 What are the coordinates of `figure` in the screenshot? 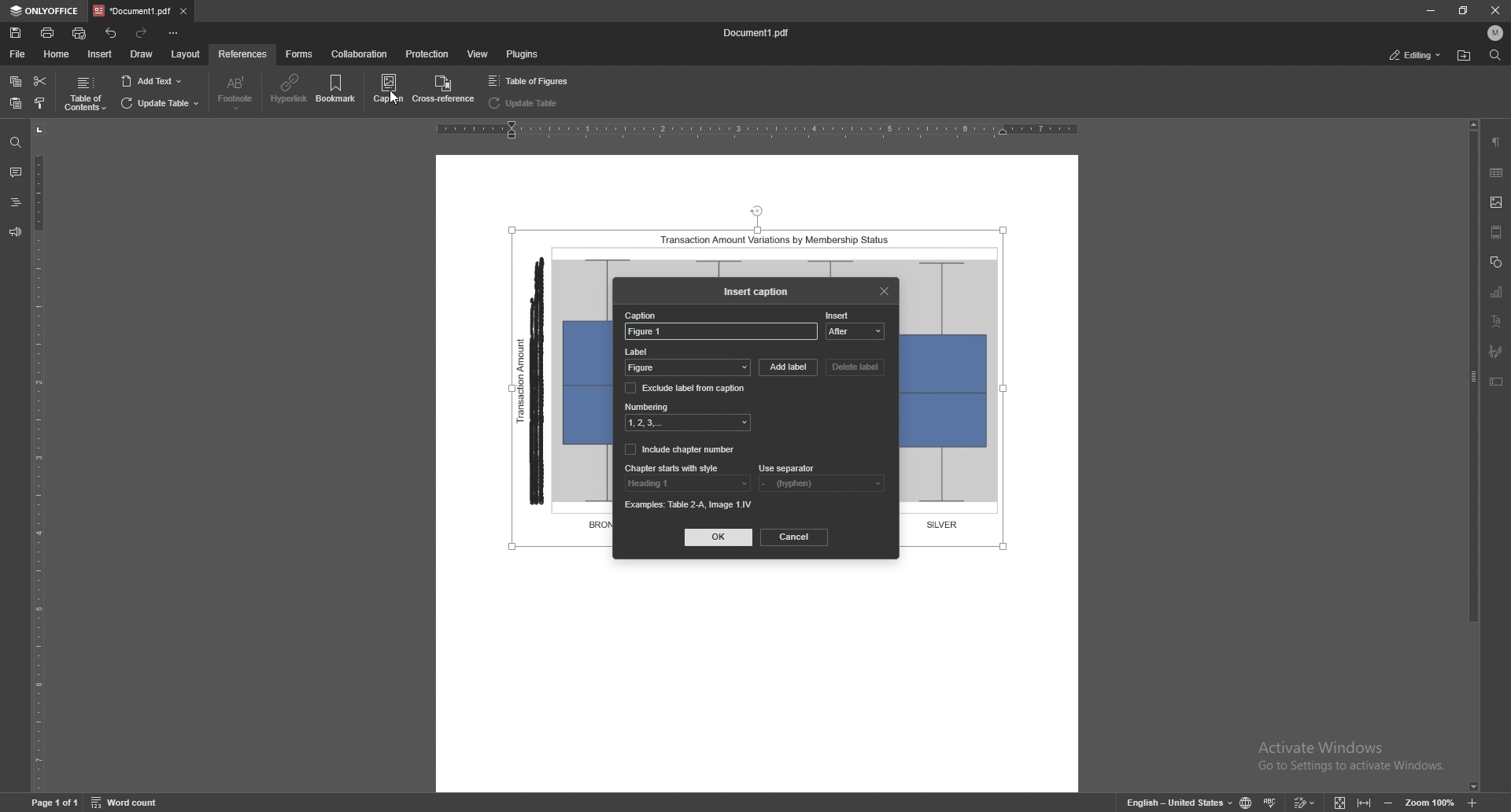 It's located at (687, 369).